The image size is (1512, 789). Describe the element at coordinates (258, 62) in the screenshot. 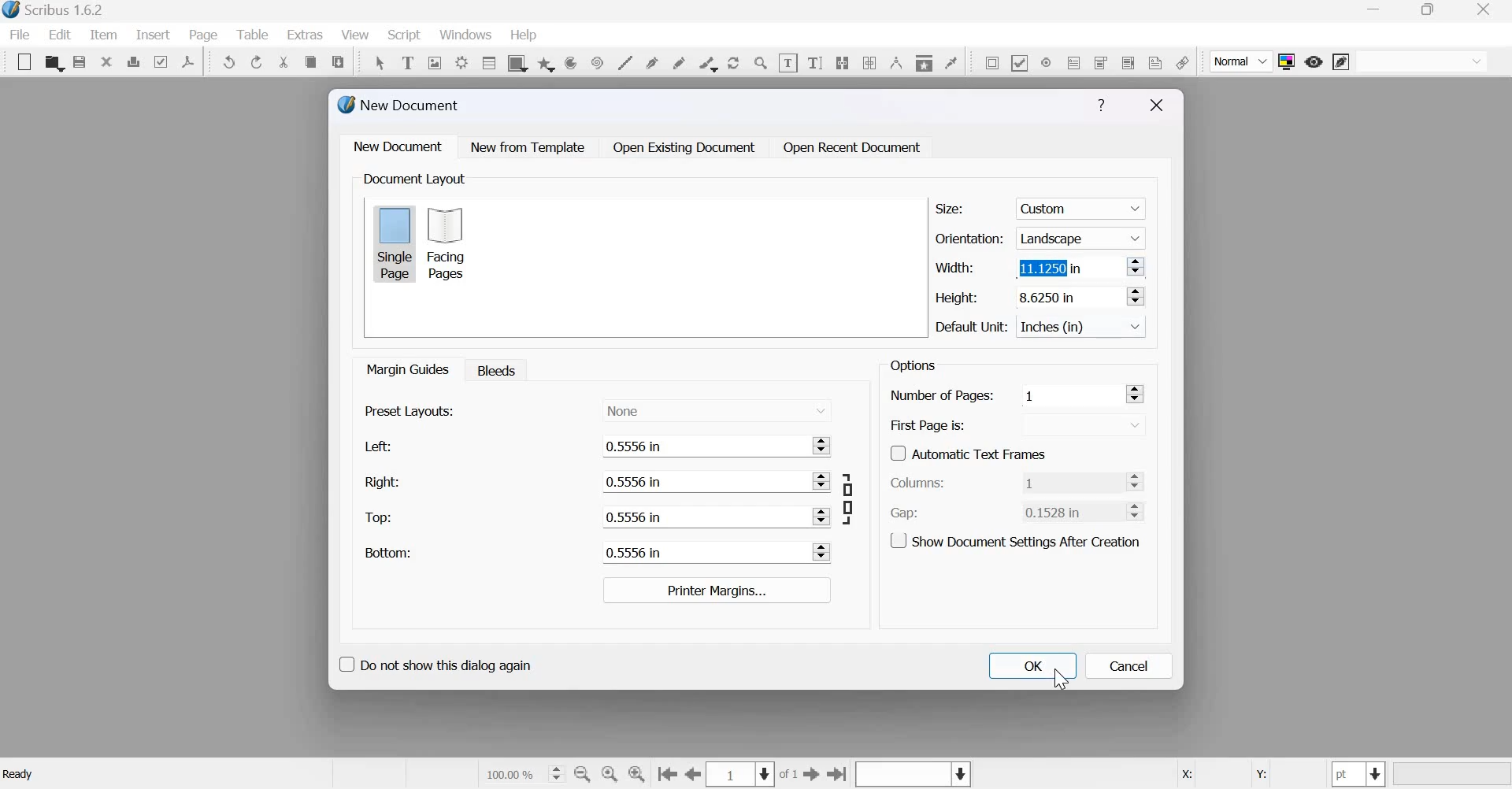

I see `Redo` at that location.